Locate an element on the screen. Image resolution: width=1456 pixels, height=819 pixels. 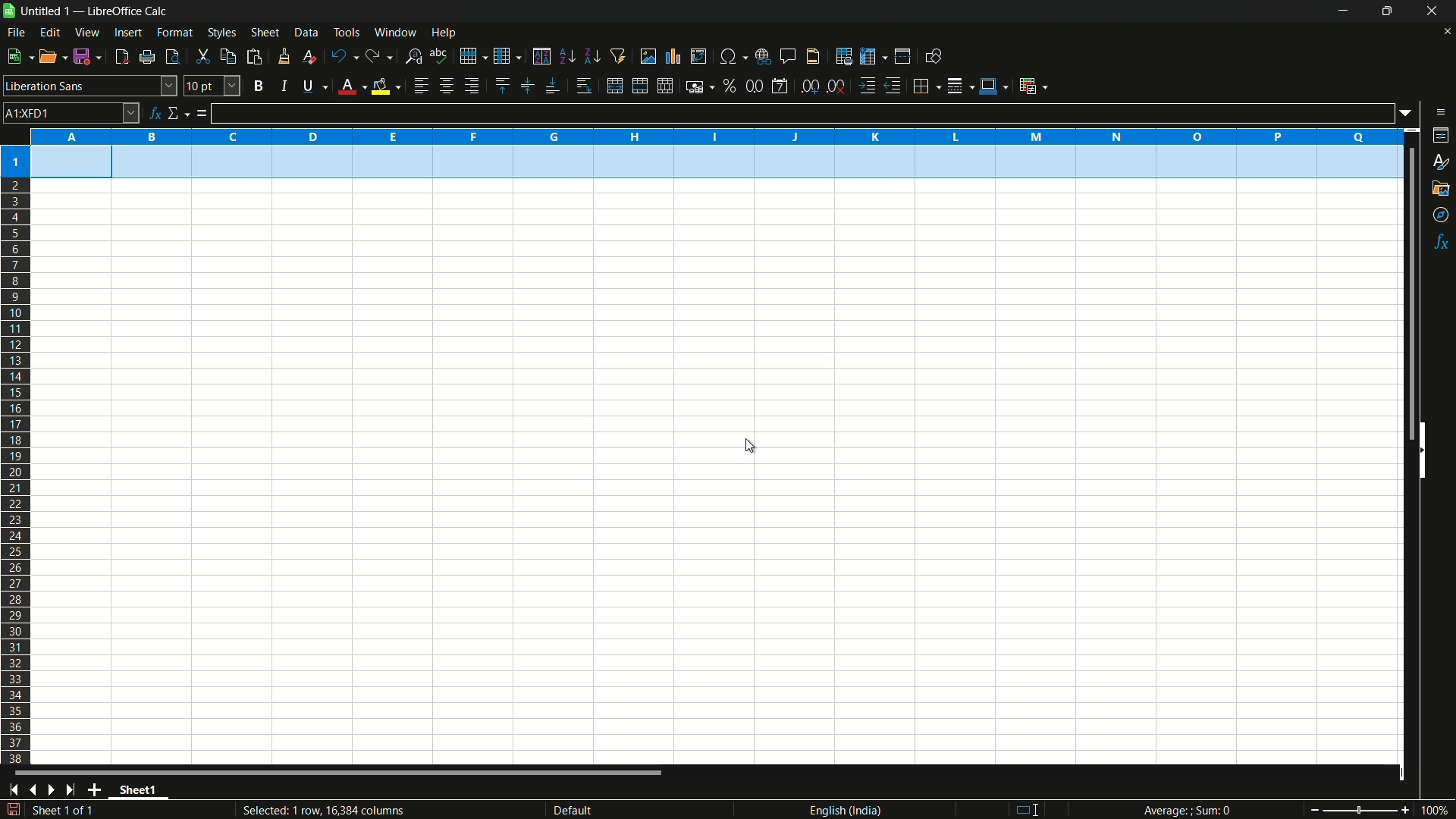
maximize or restore is located at coordinates (1387, 11).